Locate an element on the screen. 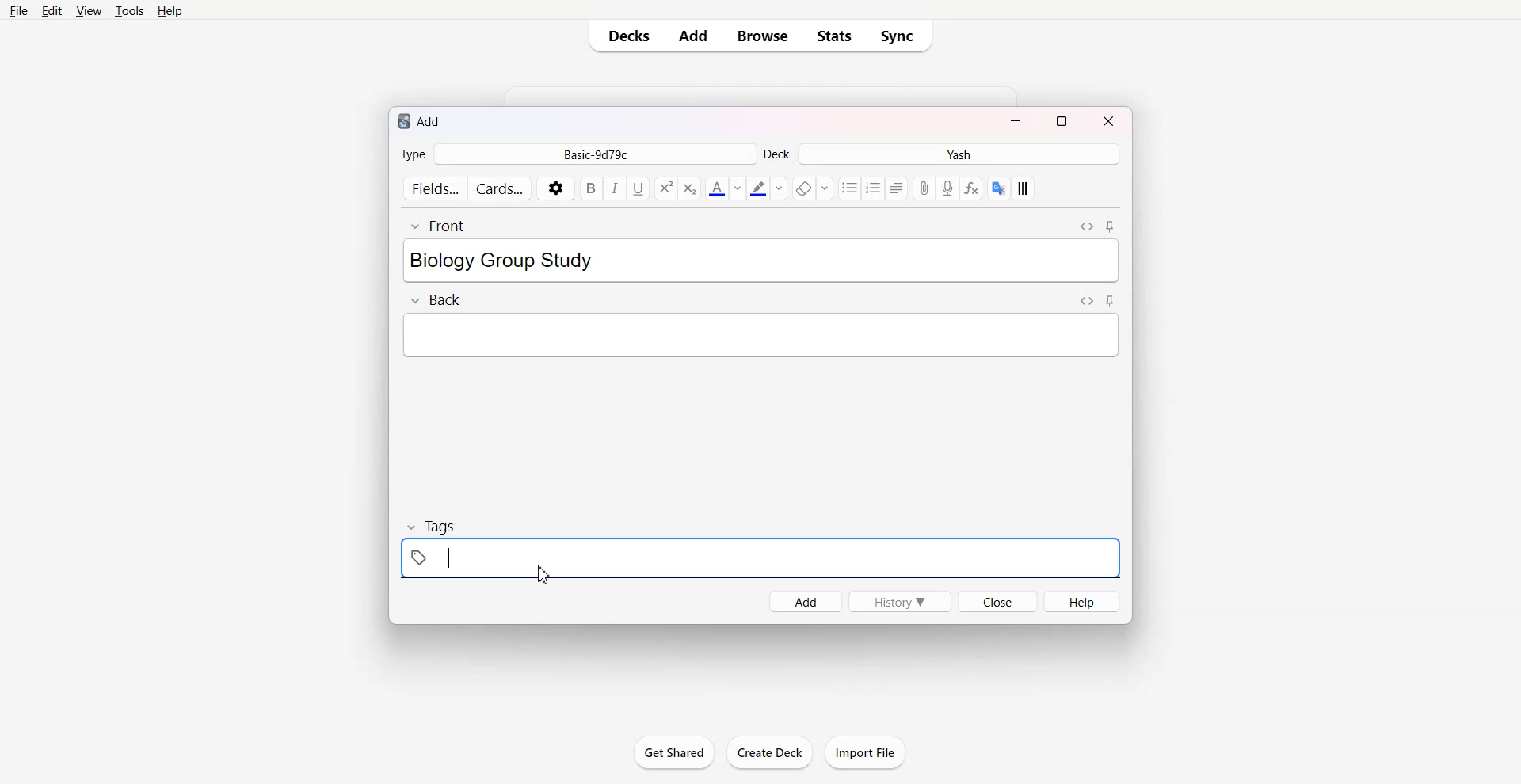 The height and width of the screenshot is (784, 1521). Toggle Sticky is located at coordinates (1109, 226).